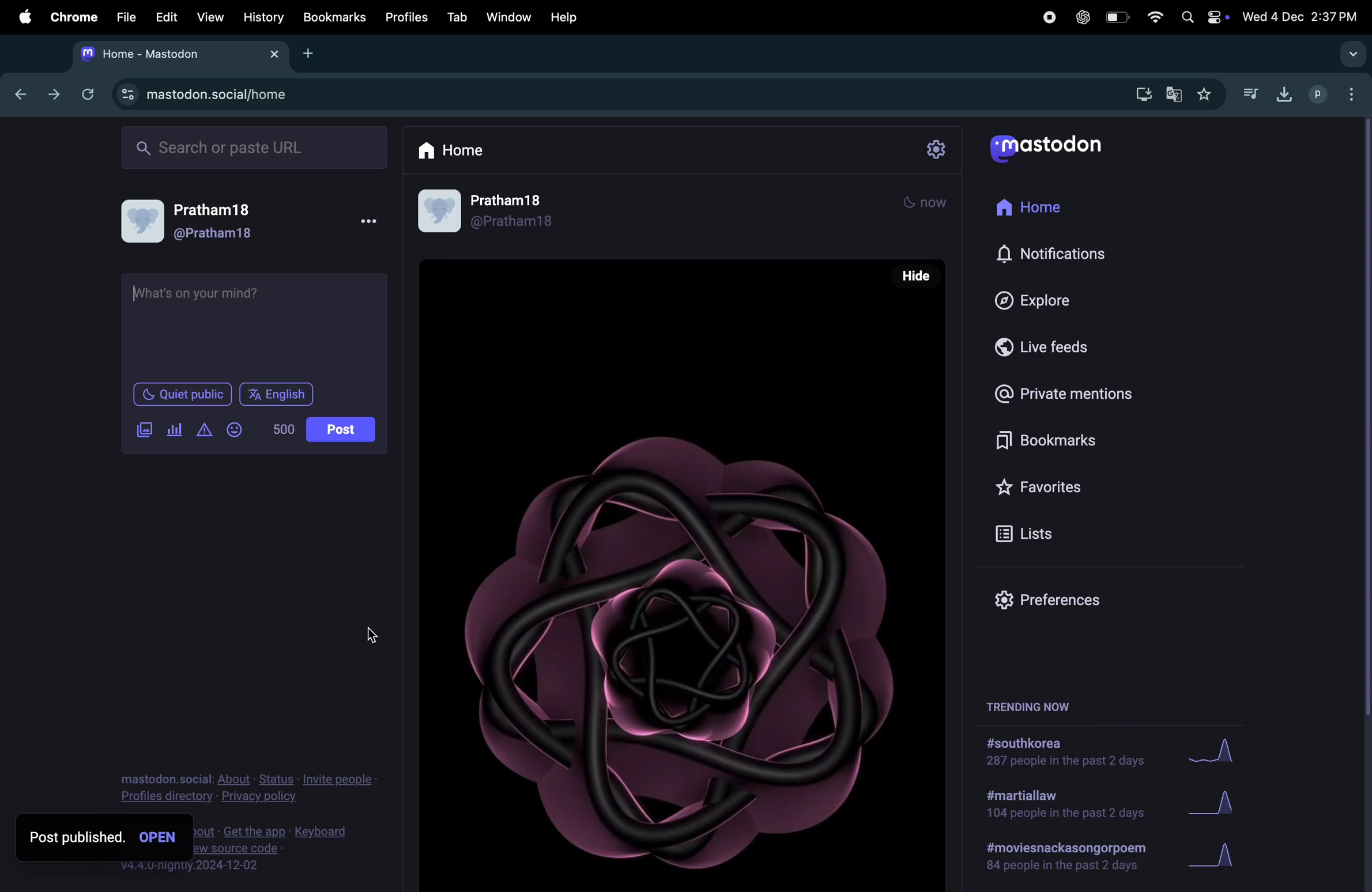 This screenshot has height=892, width=1372. Describe the element at coordinates (459, 16) in the screenshot. I see `Tab` at that location.